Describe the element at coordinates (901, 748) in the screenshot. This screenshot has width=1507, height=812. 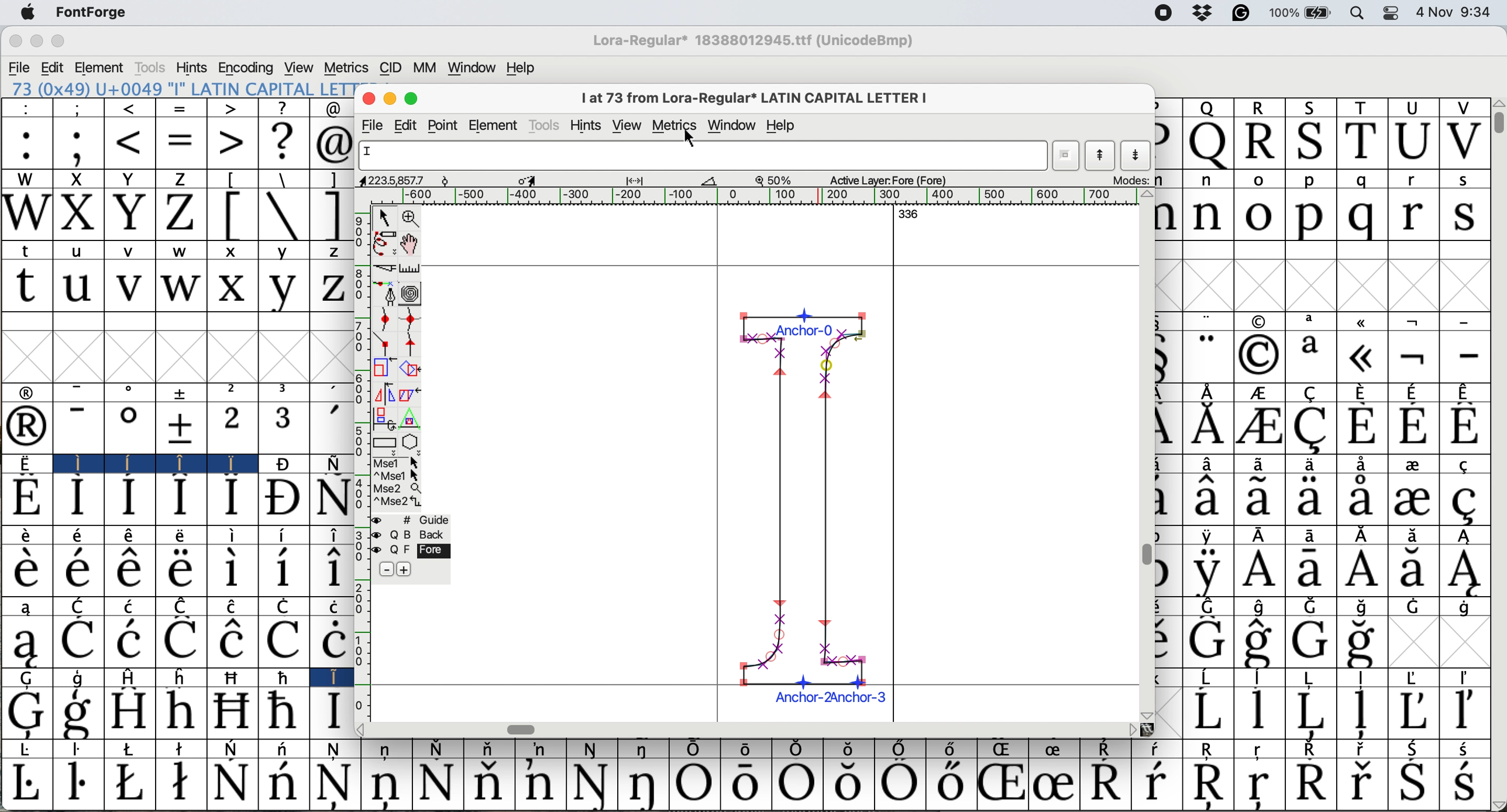
I see `Symbol` at that location.